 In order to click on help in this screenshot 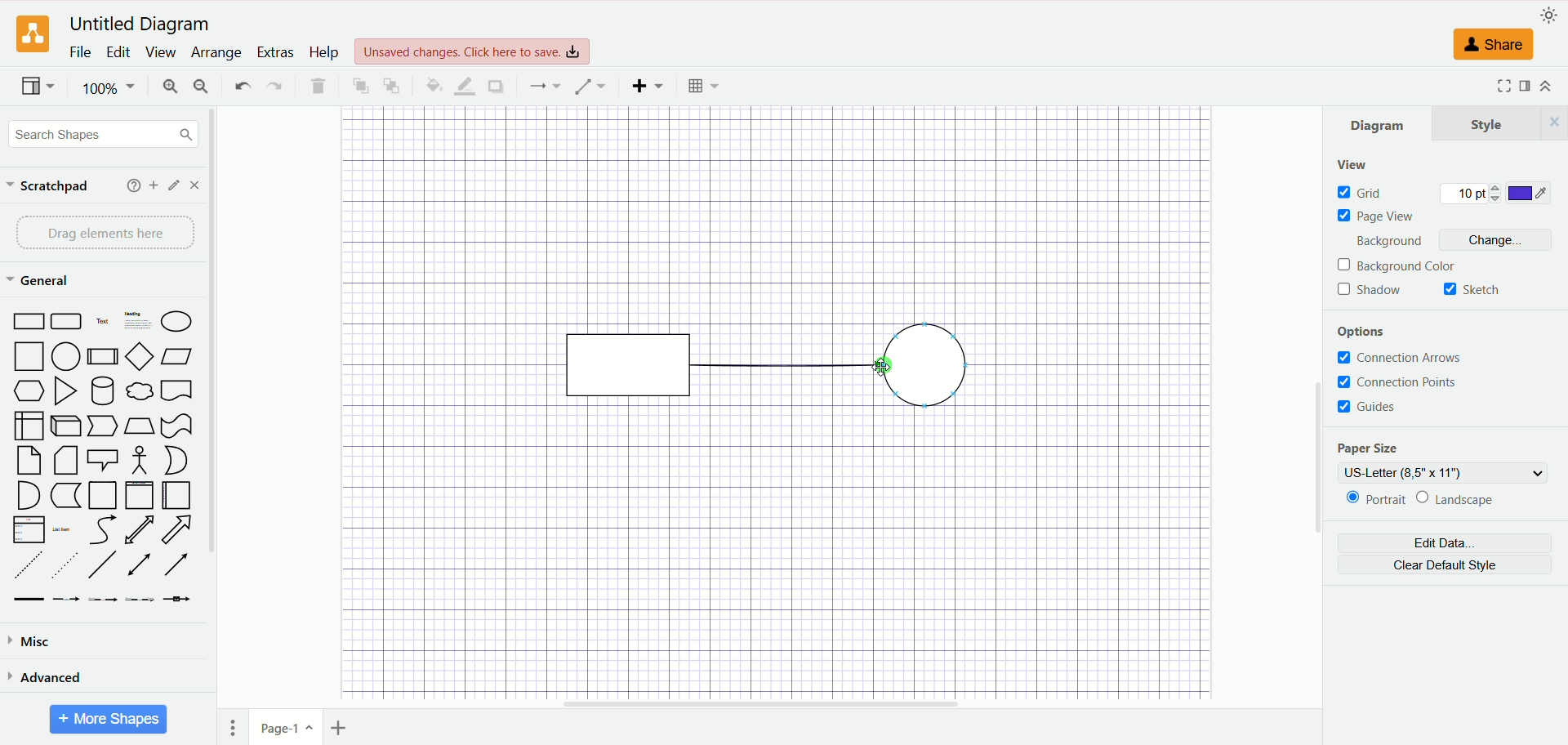, I will do `click(324, 53)`.